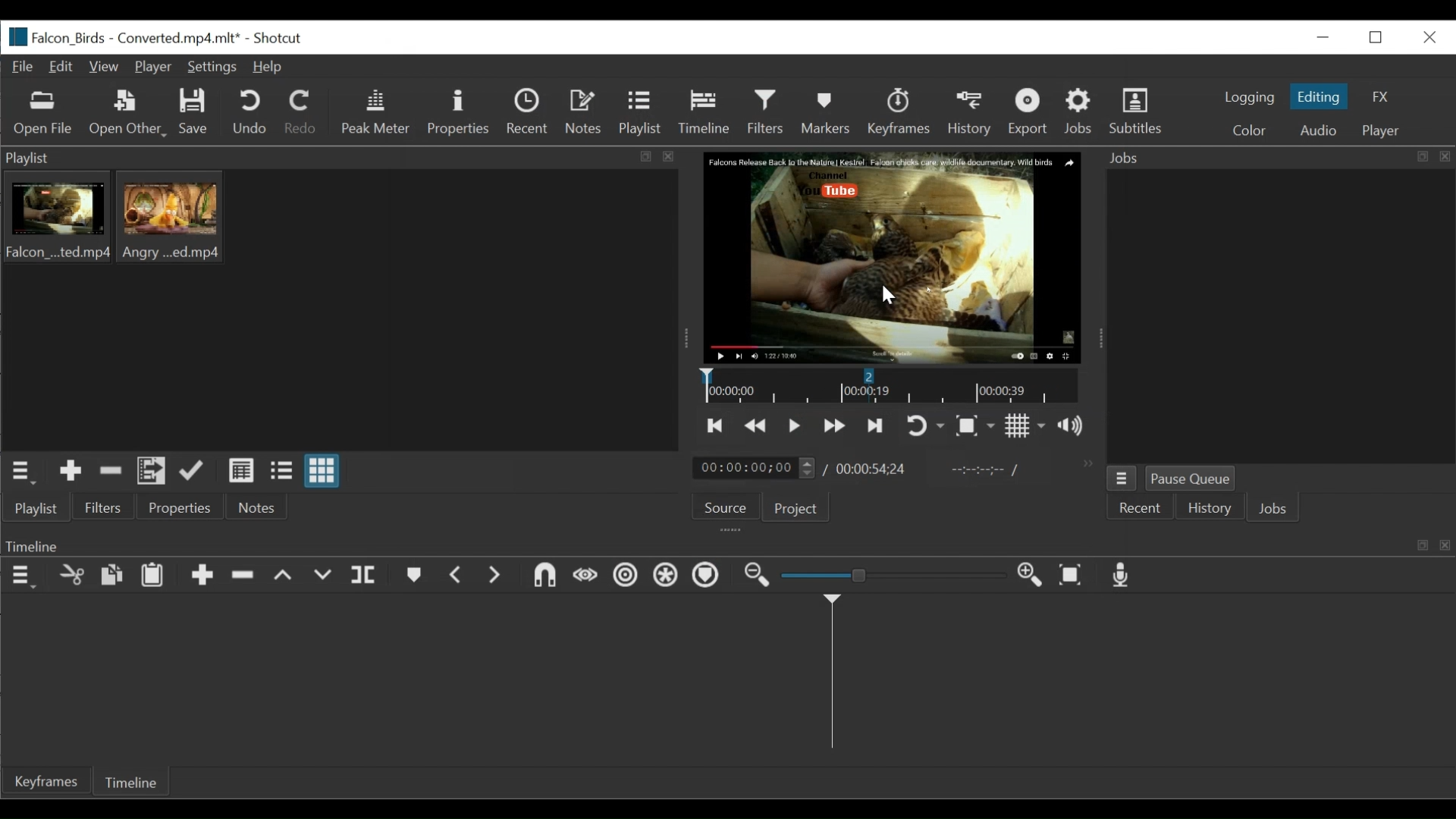 This screenshot has width=1456, height=819. I want to click on In point, so click(985, 472).